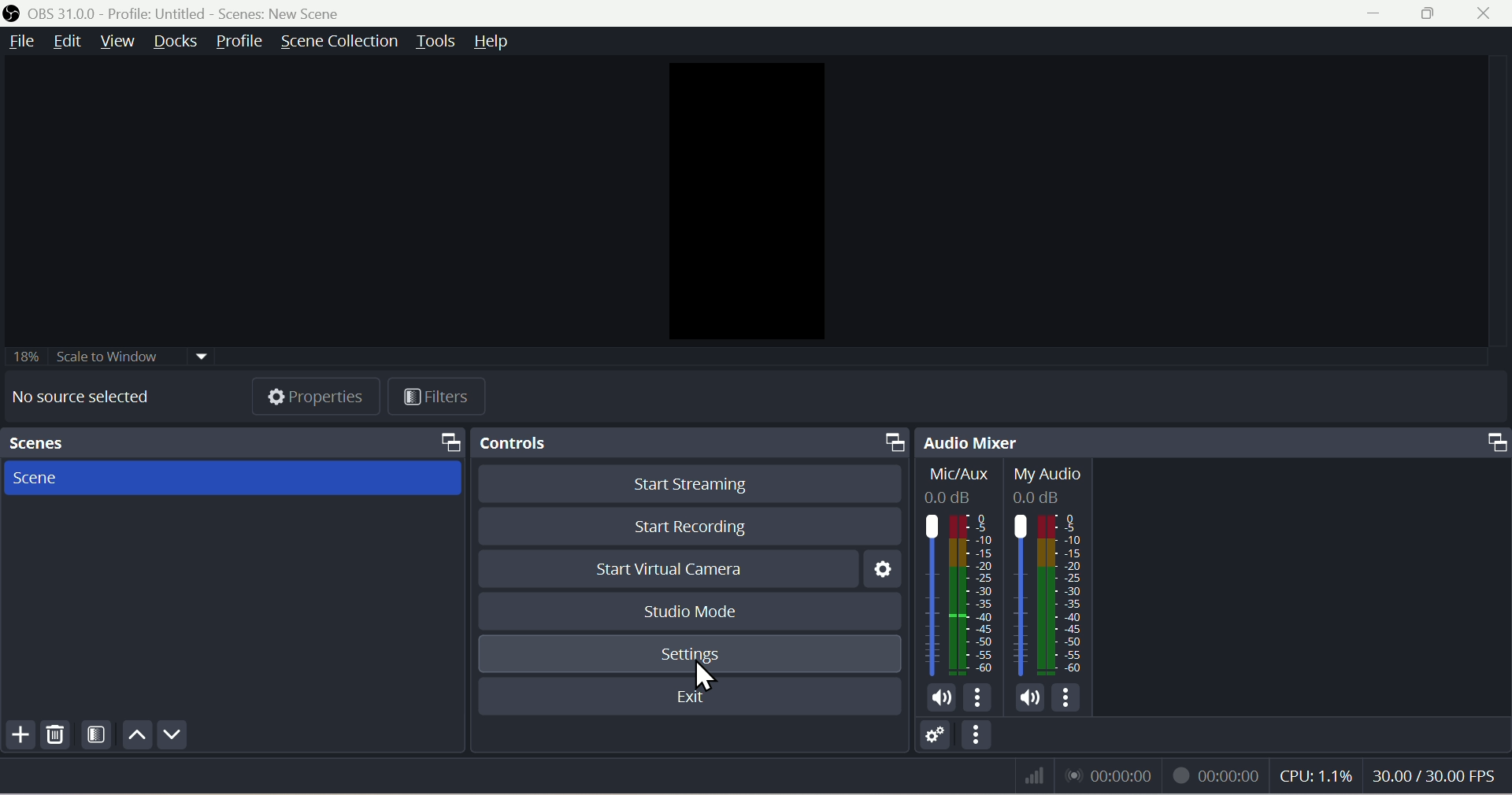 The width and height of the screenshot is (1512, 795). Describe the element at coordinates (173, 736) in the screenshot. I see `Down` at that location.